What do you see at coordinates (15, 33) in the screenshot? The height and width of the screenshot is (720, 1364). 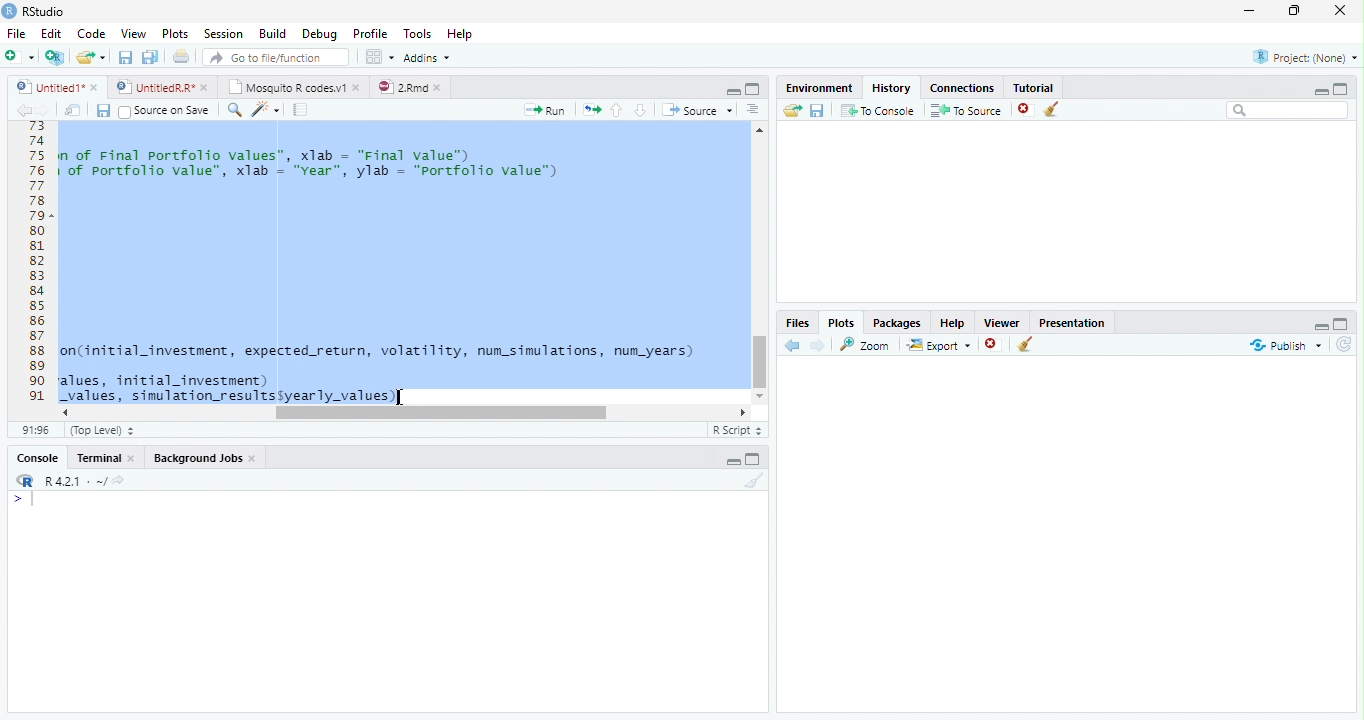 I see `File` at bounding box center [15, 33].